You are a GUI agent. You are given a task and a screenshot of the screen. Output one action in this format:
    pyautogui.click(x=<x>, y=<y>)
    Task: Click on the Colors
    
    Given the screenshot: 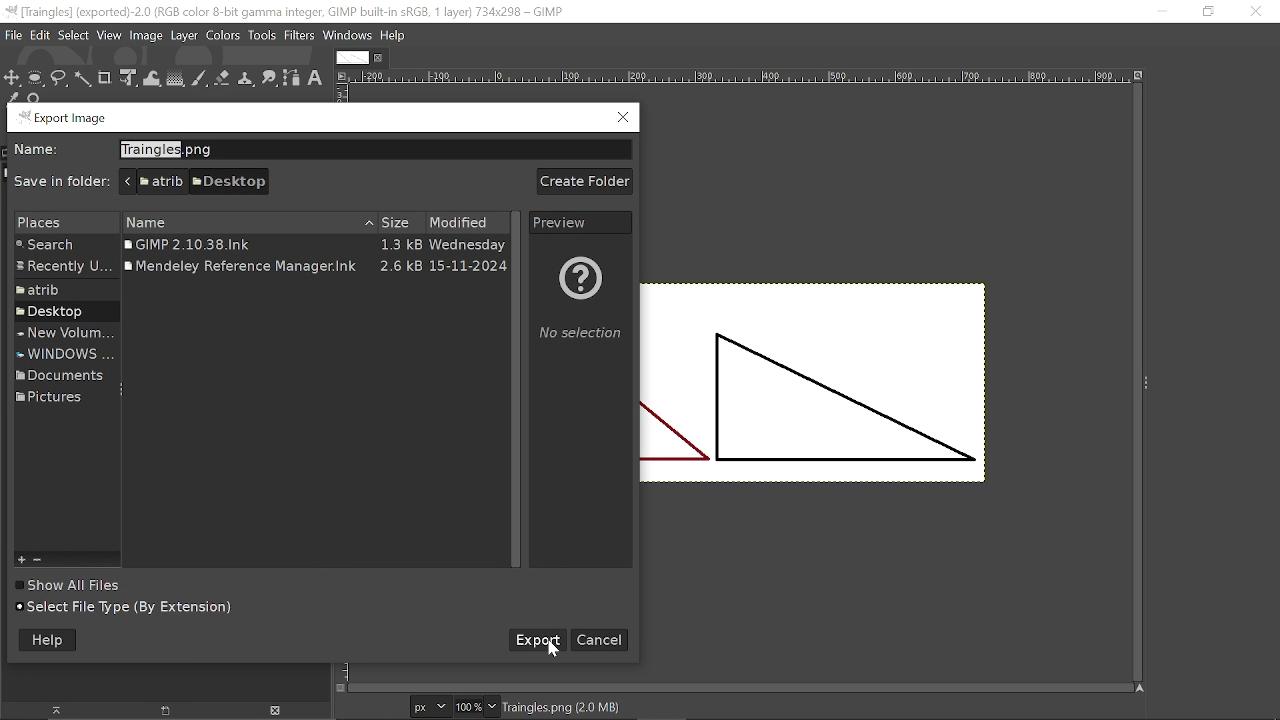 What is the action you would take?
    pyautogui.click(x=224, y=37)
    